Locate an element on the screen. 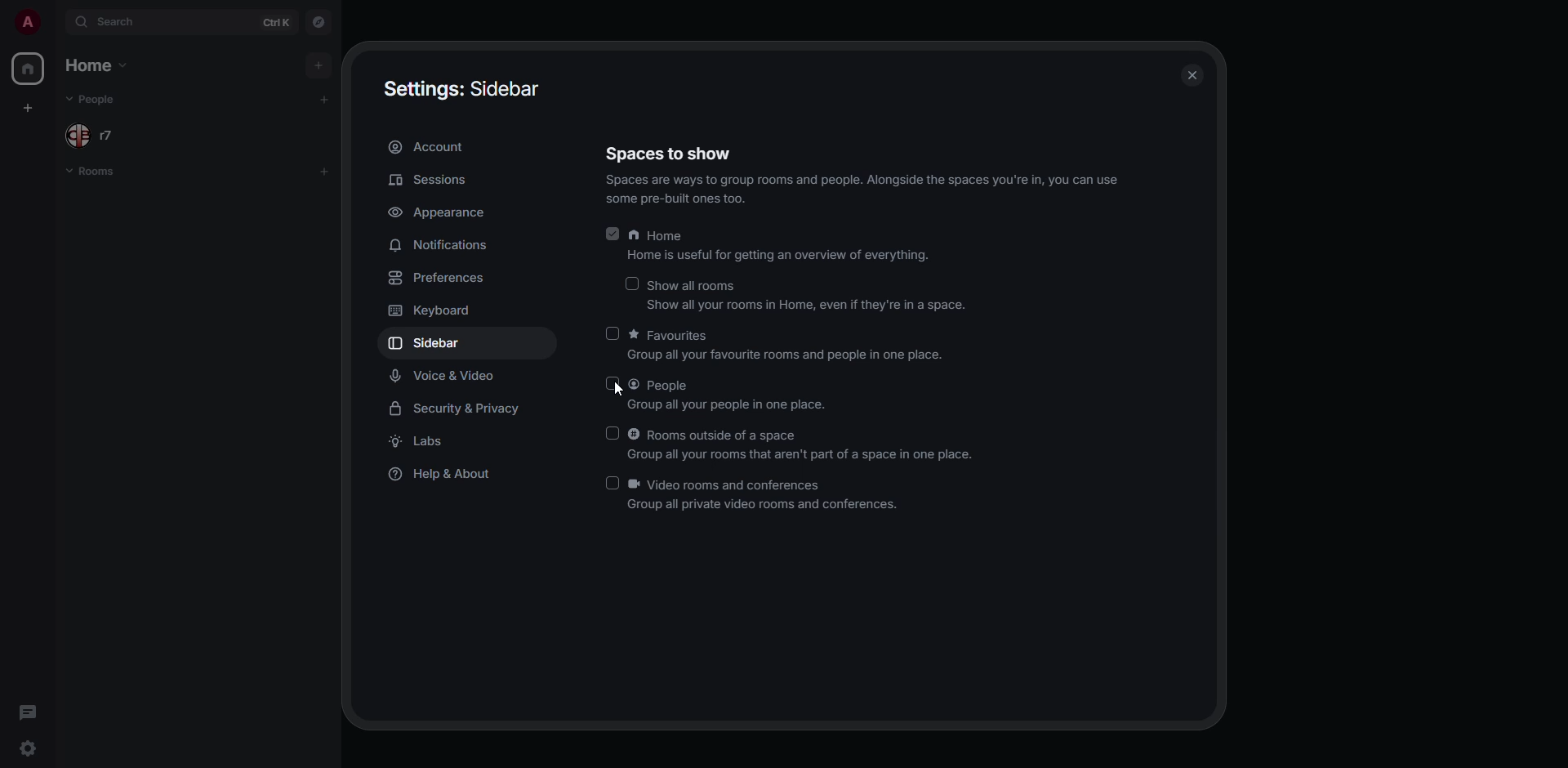 The width and height of the screenshot is (1568, 768). quick settings is located at coordinates (29, 747).